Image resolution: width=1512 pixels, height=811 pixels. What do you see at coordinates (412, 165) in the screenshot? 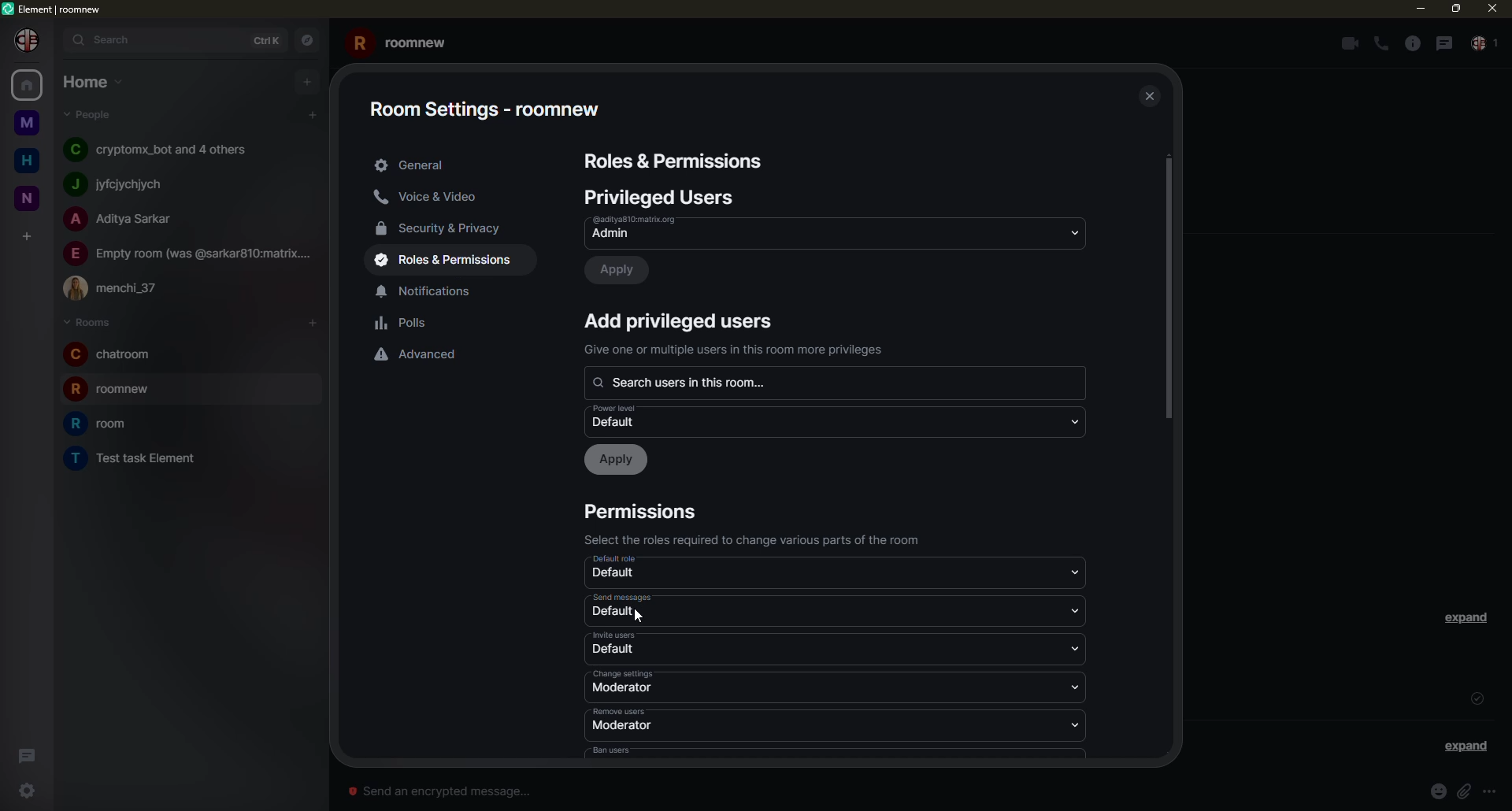
I see `geeral` at bounding box center [412, 165].